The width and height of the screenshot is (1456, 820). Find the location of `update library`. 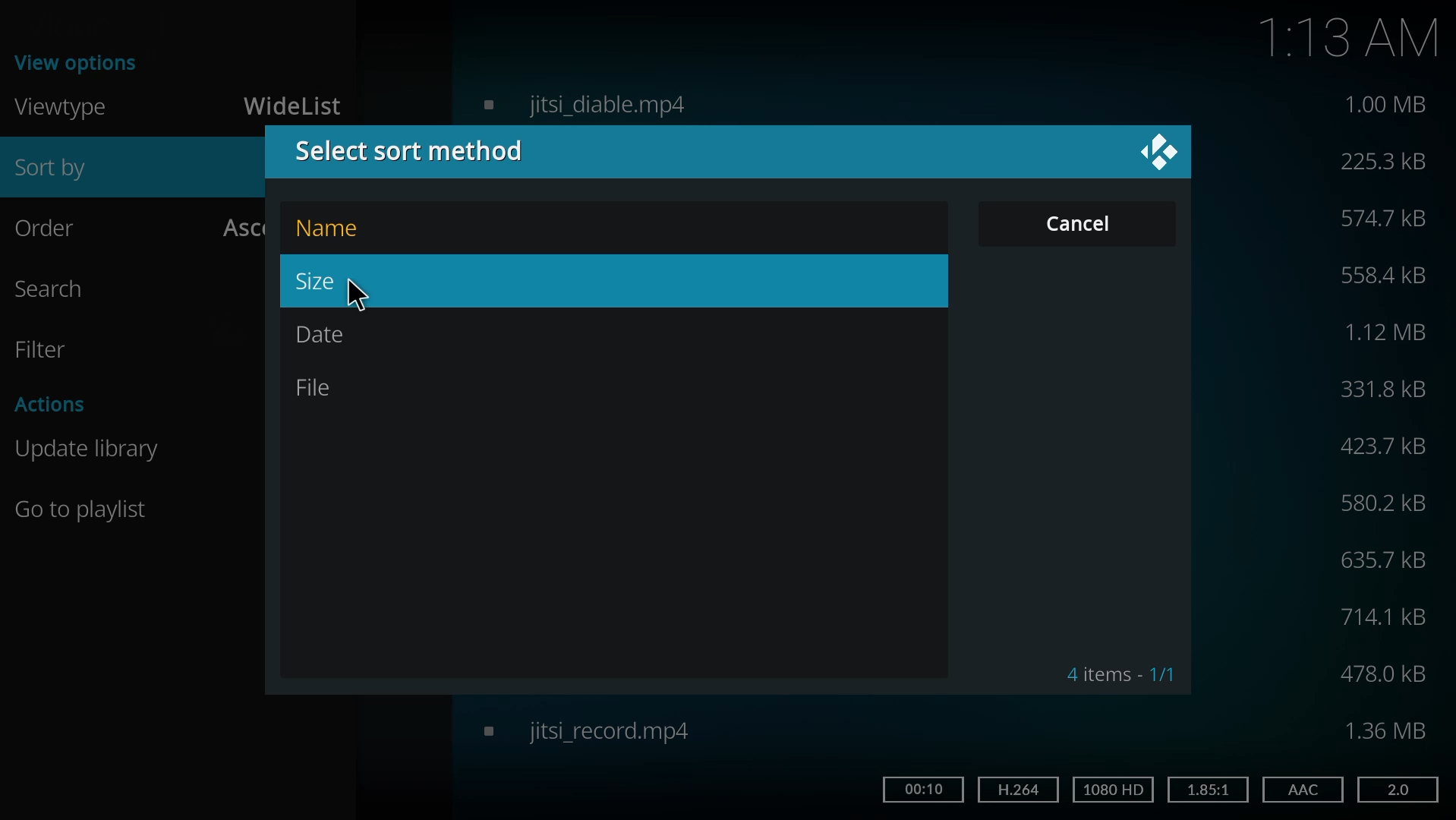

update library is located at coordinates (86, 449).